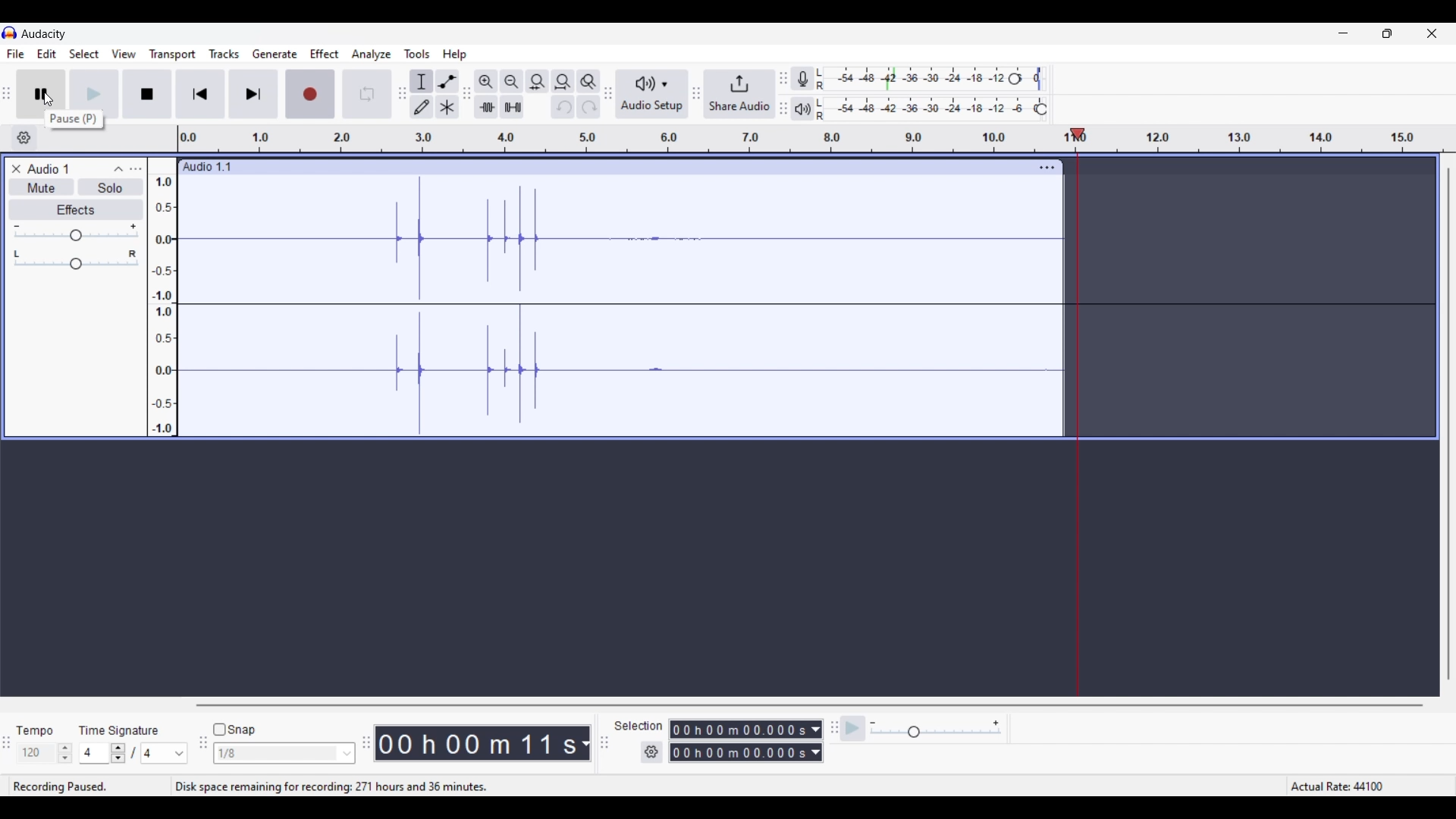  What do you see at coordinates (325, 54) in the screenshot?
I see `Effect menu` at bounding box center [325, 54].